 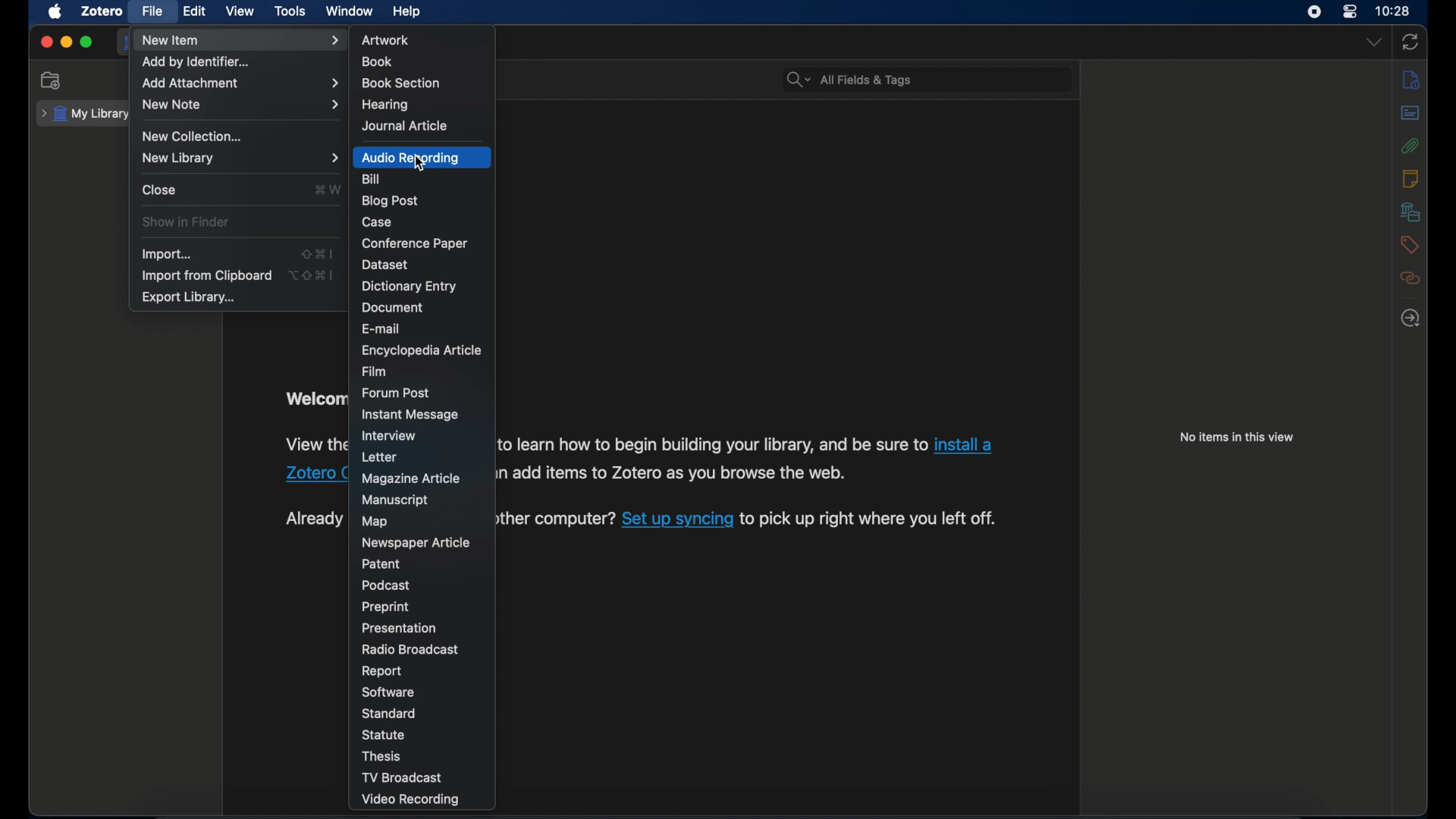 I want to click on manuscript, so click(x=396, y=500).